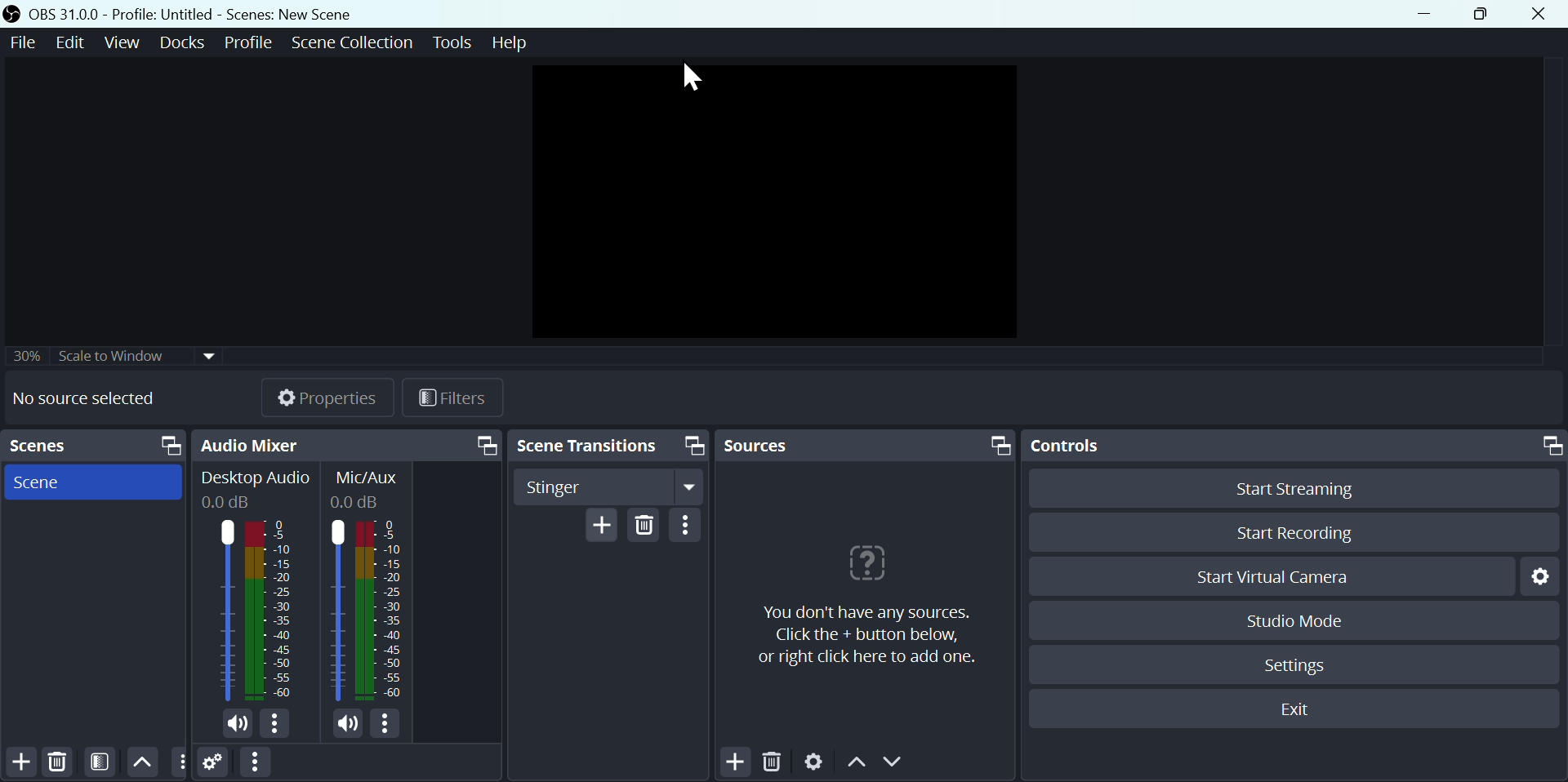 The height and width of the screenshot is (782, 1568). What do you see at coordinates (93, 482) in the screenshot?
I see `scenes` at bounding box center [93, 482].